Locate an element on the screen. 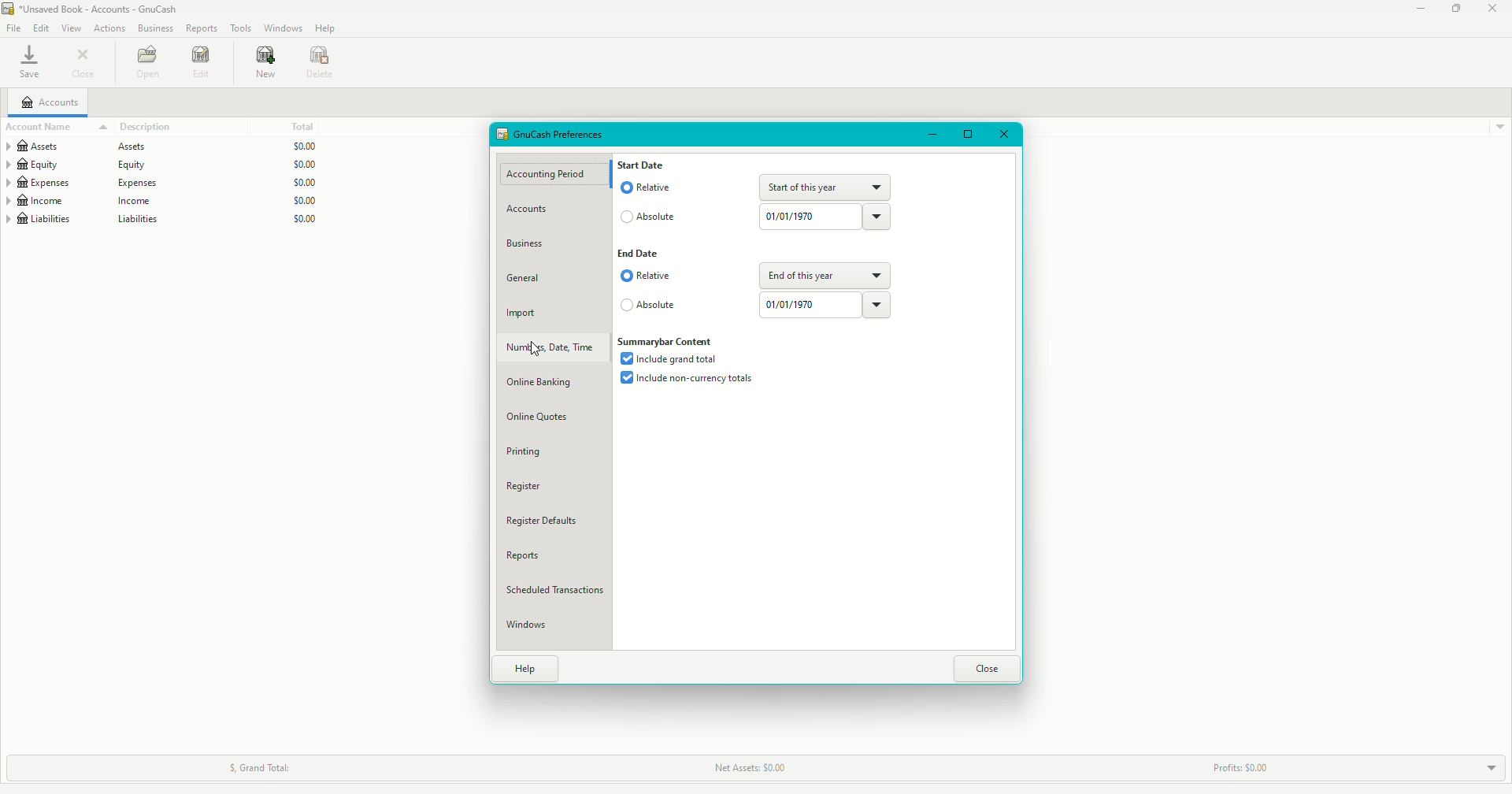  Scheduled Transactions is located at coordinates (561, 591).